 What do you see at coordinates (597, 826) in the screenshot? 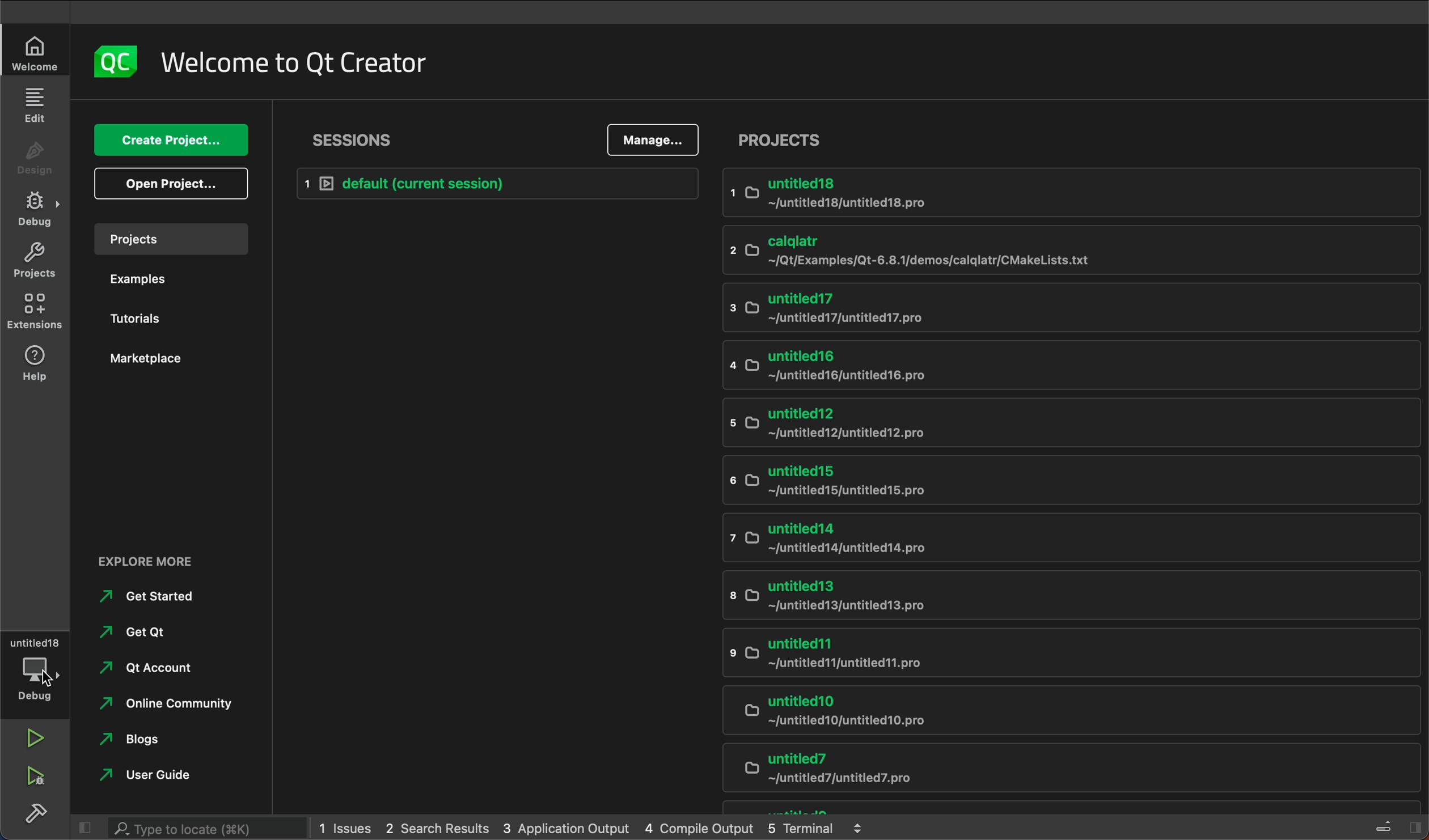
I see `logs` at bounding box center [597, 826].